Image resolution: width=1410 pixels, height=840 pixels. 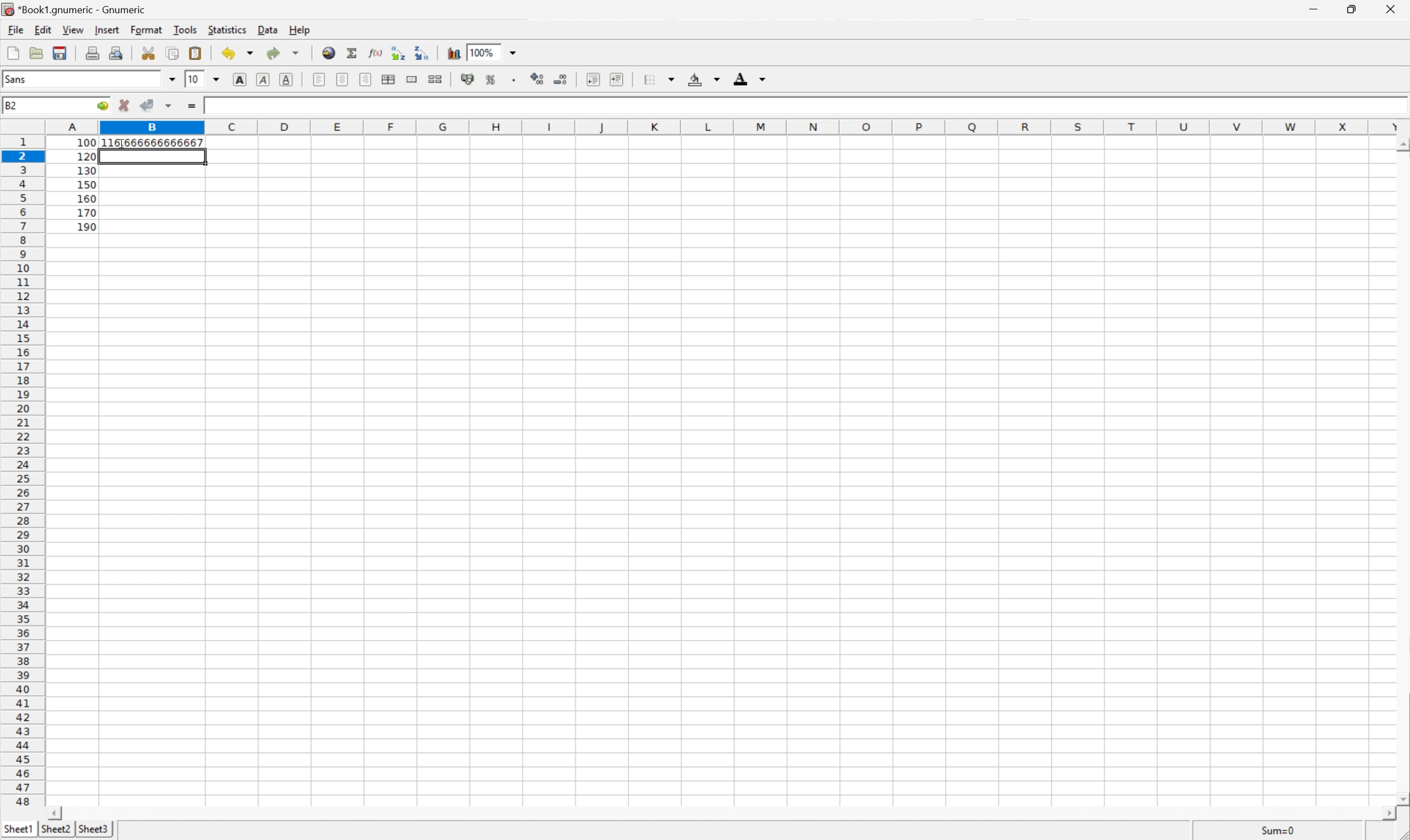 I want to click on Align Right, so click(x=366, y=79).